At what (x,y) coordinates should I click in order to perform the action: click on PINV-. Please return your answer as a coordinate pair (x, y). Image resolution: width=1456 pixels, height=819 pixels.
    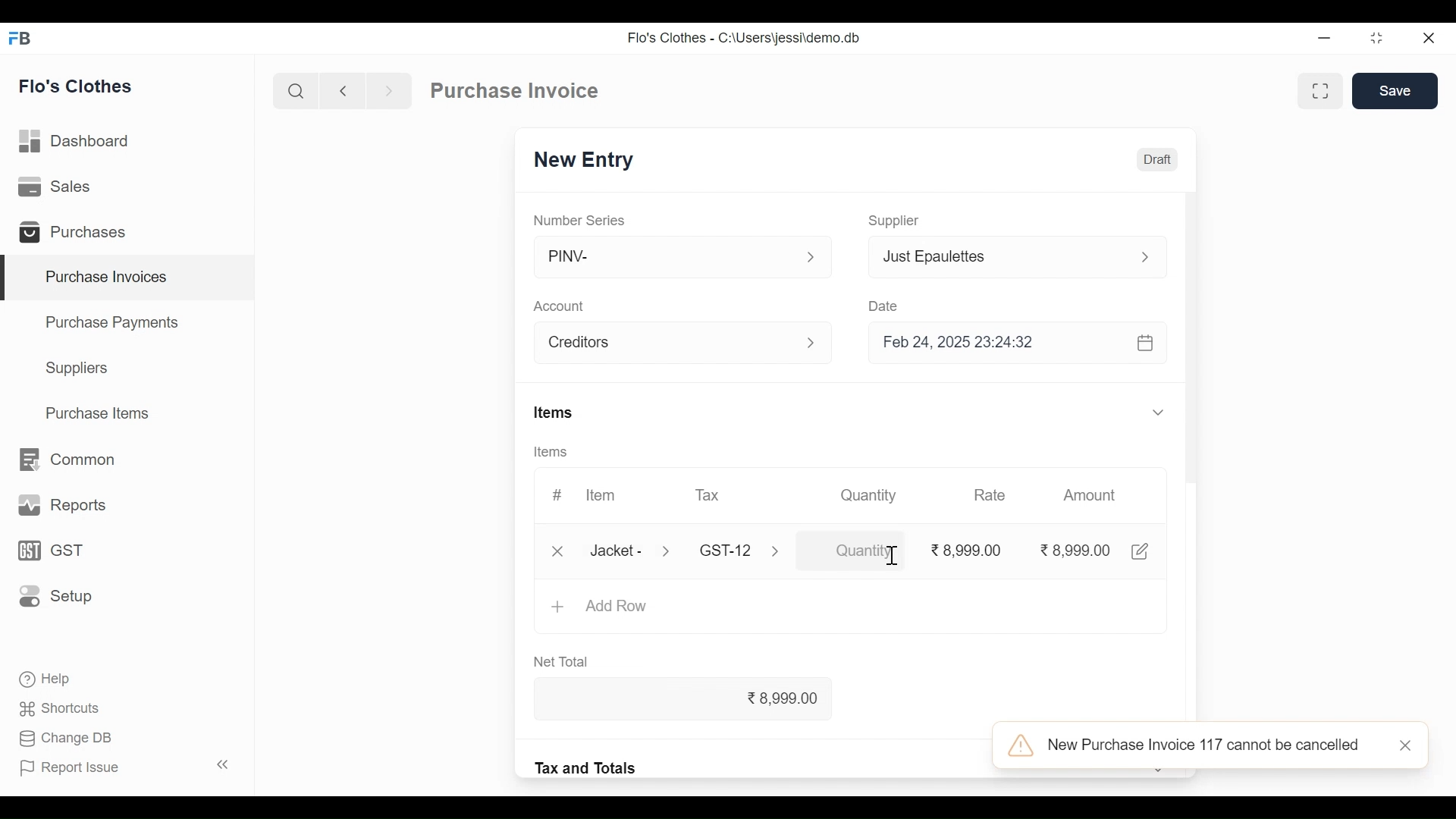
    Looking at the image, I should click on (667, 257).